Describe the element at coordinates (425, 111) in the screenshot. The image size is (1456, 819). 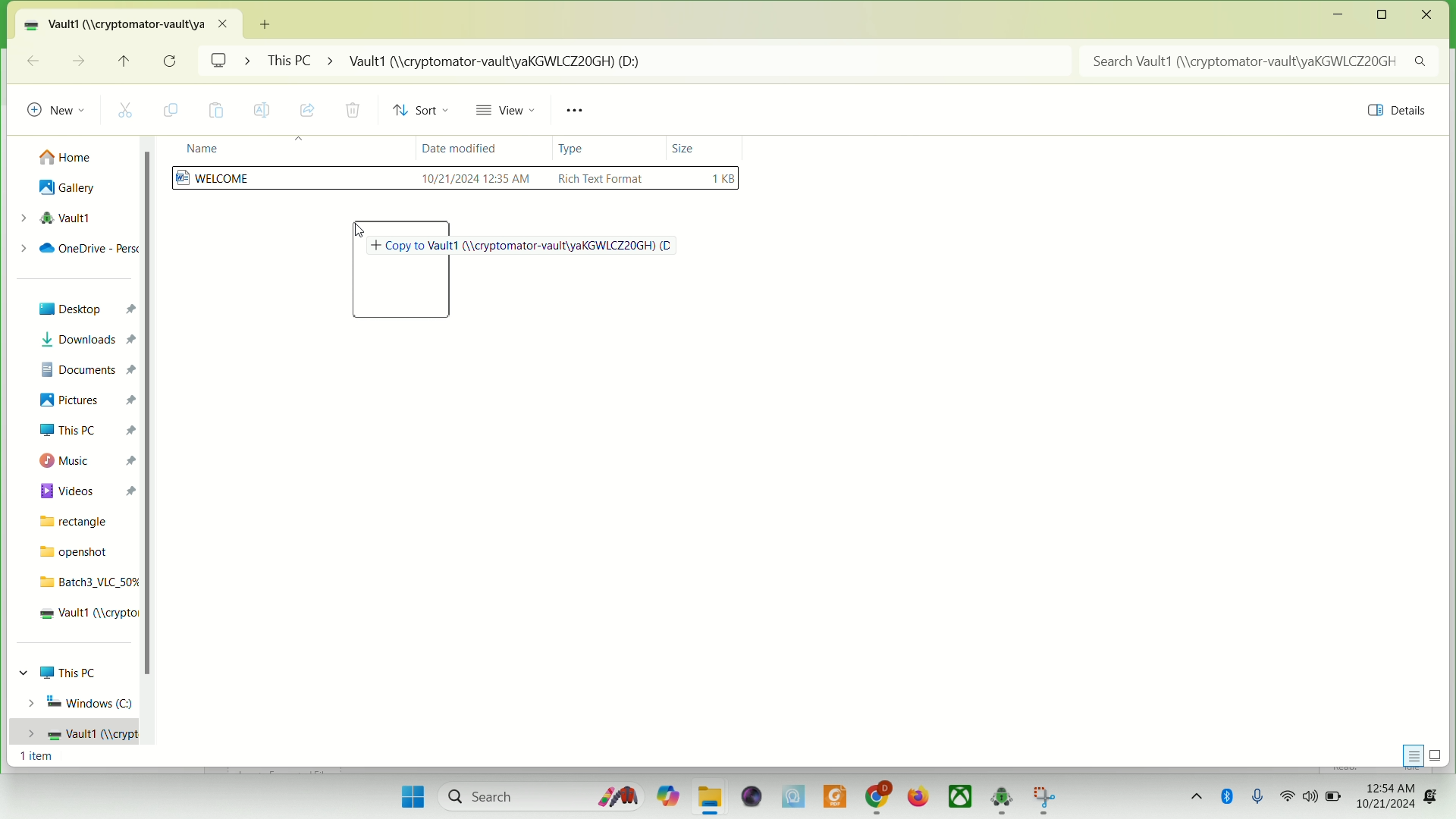
I see `sort` at that location.